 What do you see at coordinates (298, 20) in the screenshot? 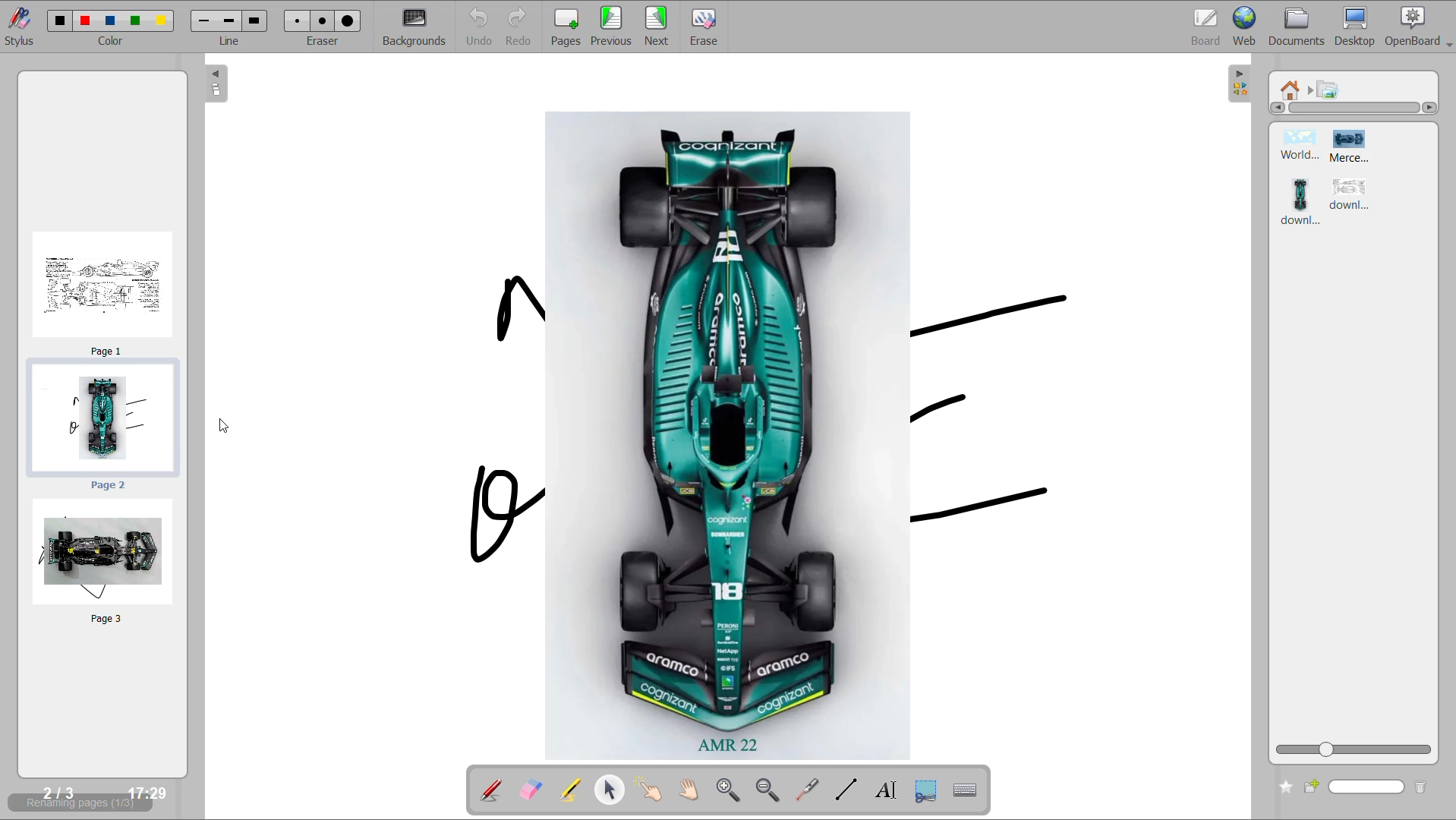
I see `Small eraser` at bounding box center [298, 20].